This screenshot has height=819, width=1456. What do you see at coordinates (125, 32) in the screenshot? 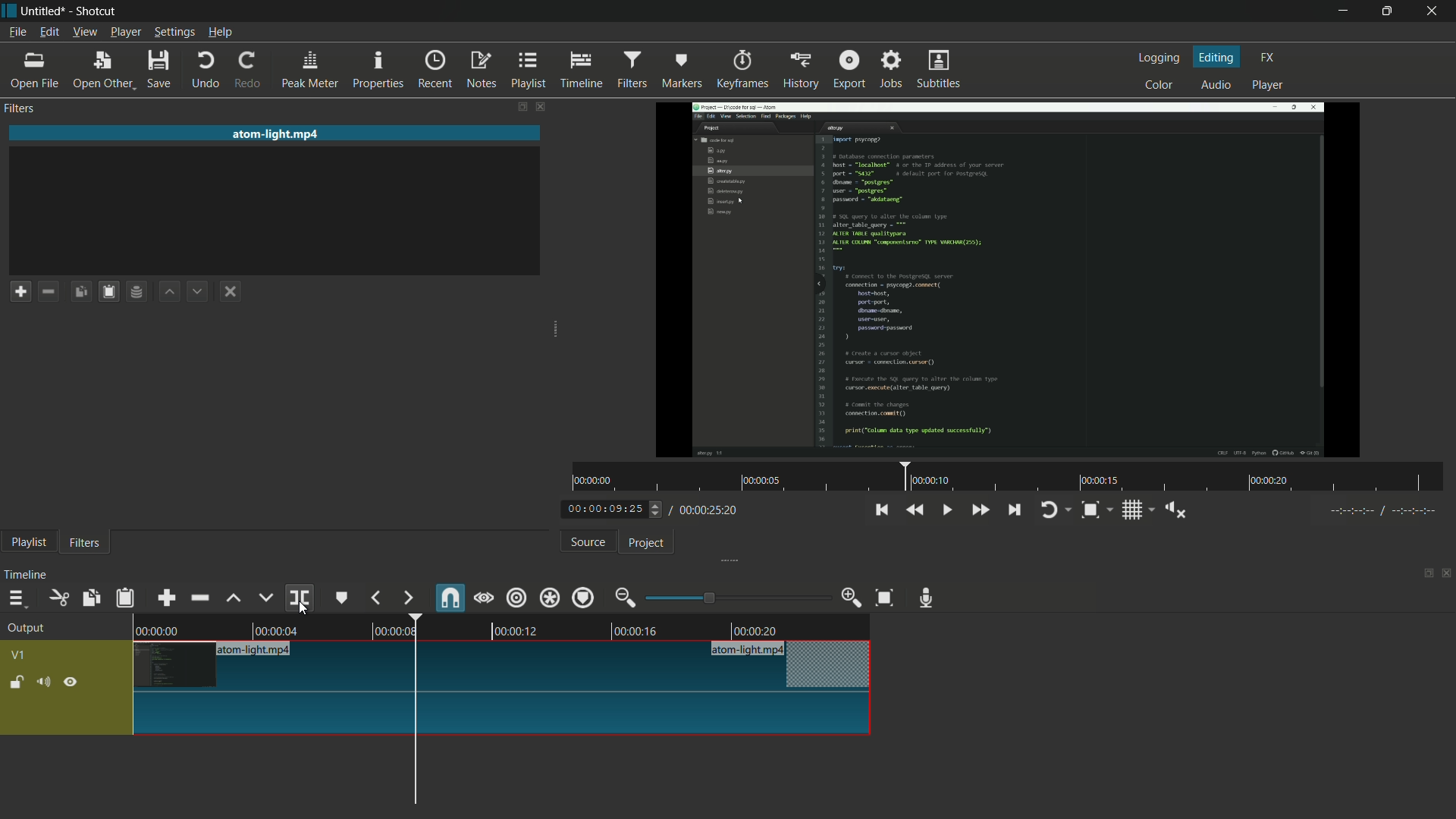
I see `player menu` at bounding box center [125, 32].